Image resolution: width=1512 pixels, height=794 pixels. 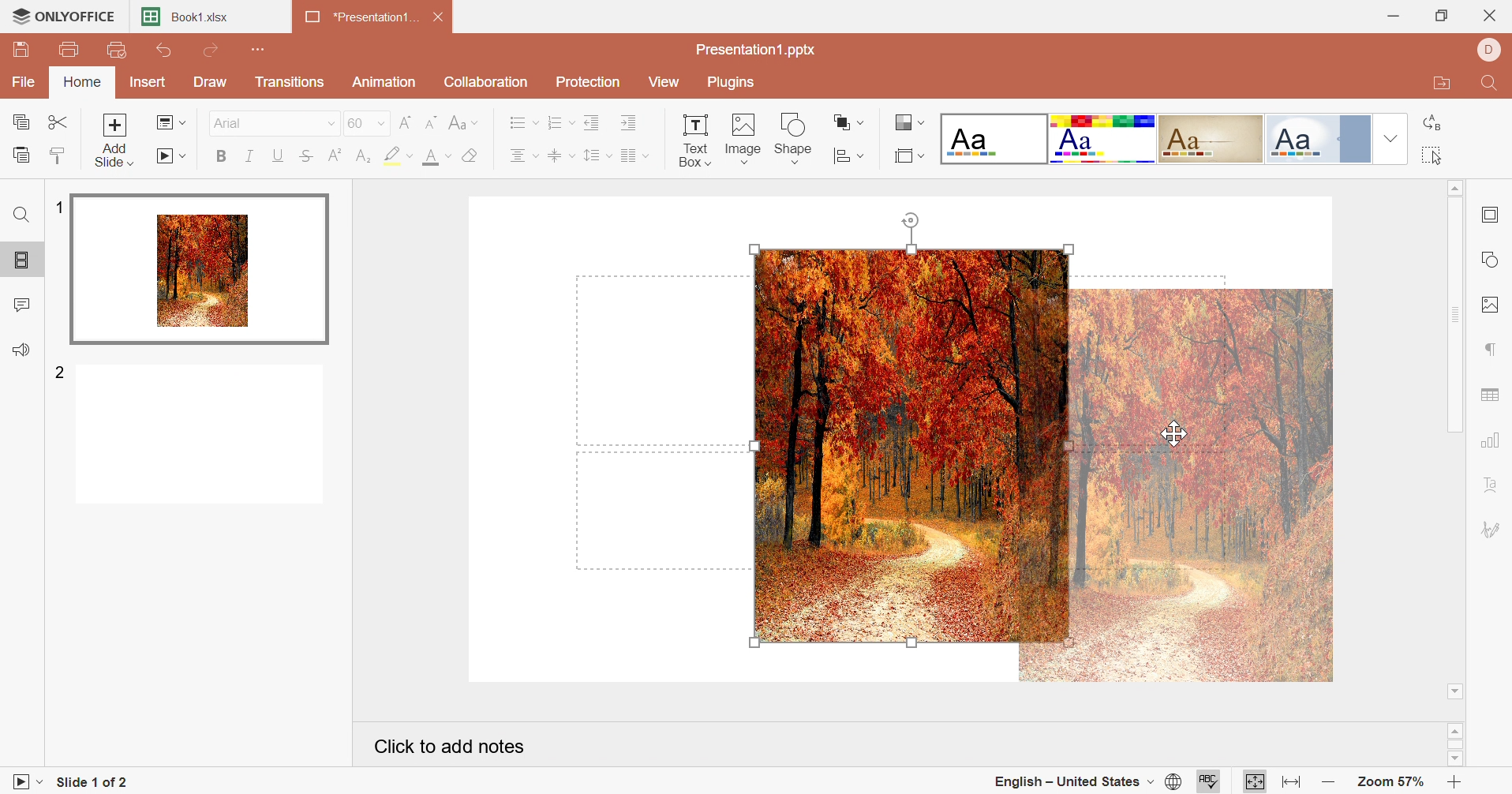 I want to click on Table settings, so click(x=1490, y=395).